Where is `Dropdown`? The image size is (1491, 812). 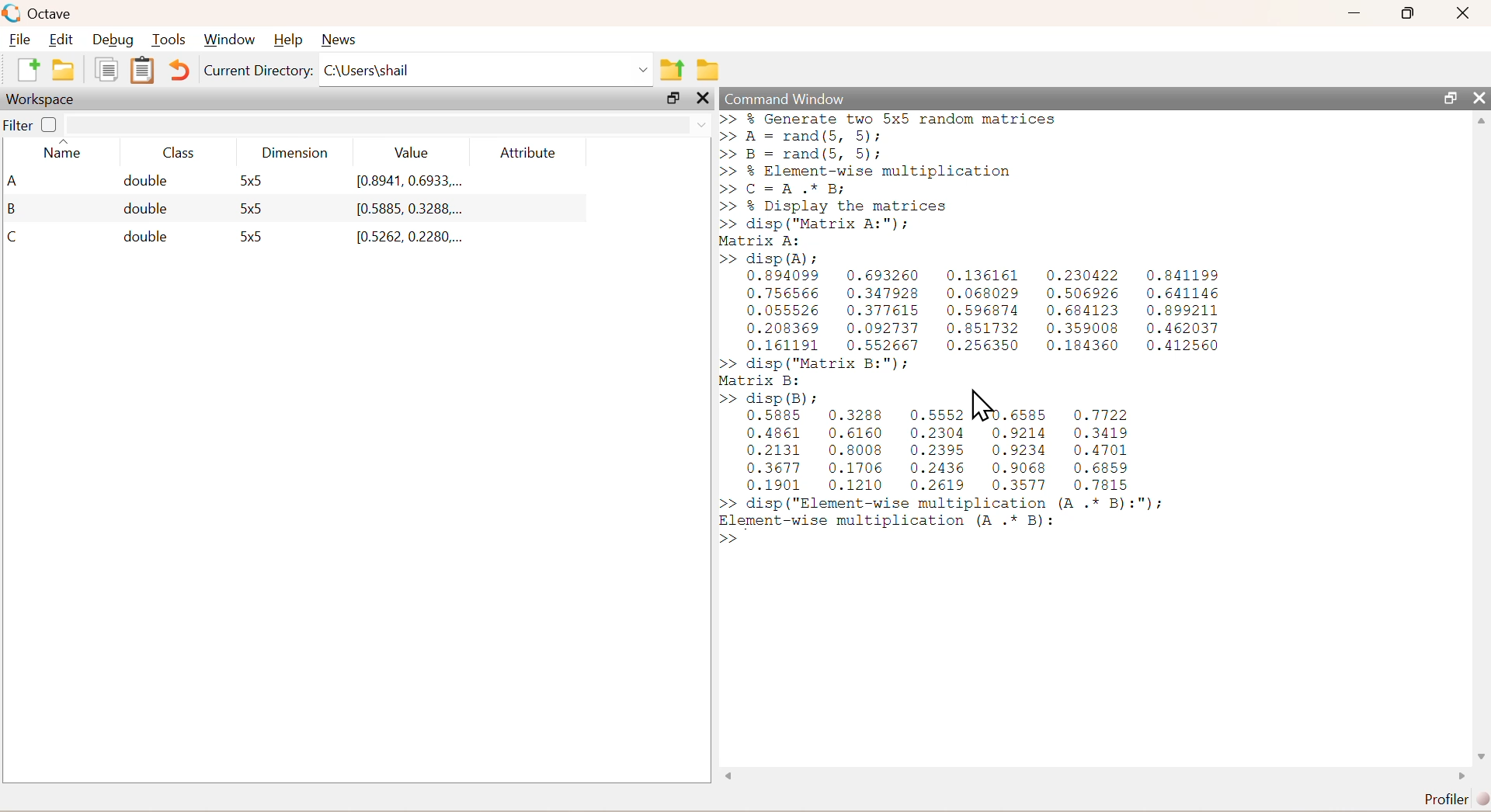
Dropdown is located at coordinates (695, 123).